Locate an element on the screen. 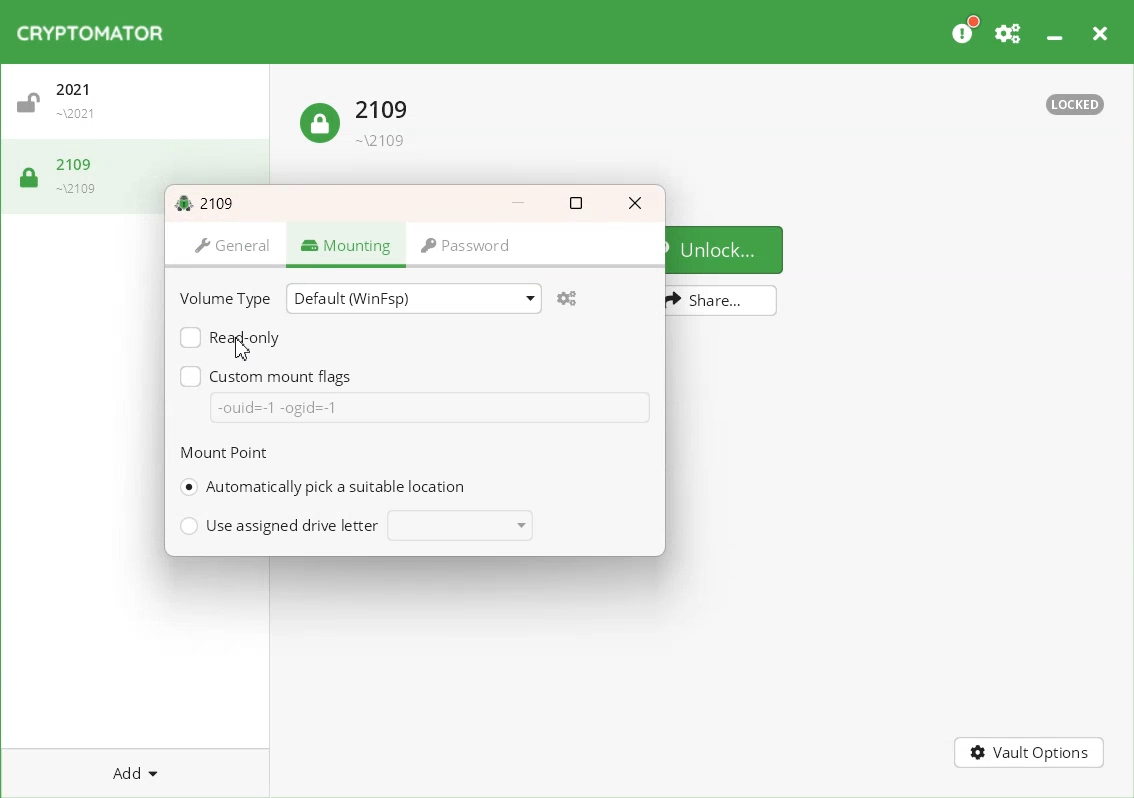 This screenshot has width=1134, height=798. Preferences is located at coordinates (1009, 32).